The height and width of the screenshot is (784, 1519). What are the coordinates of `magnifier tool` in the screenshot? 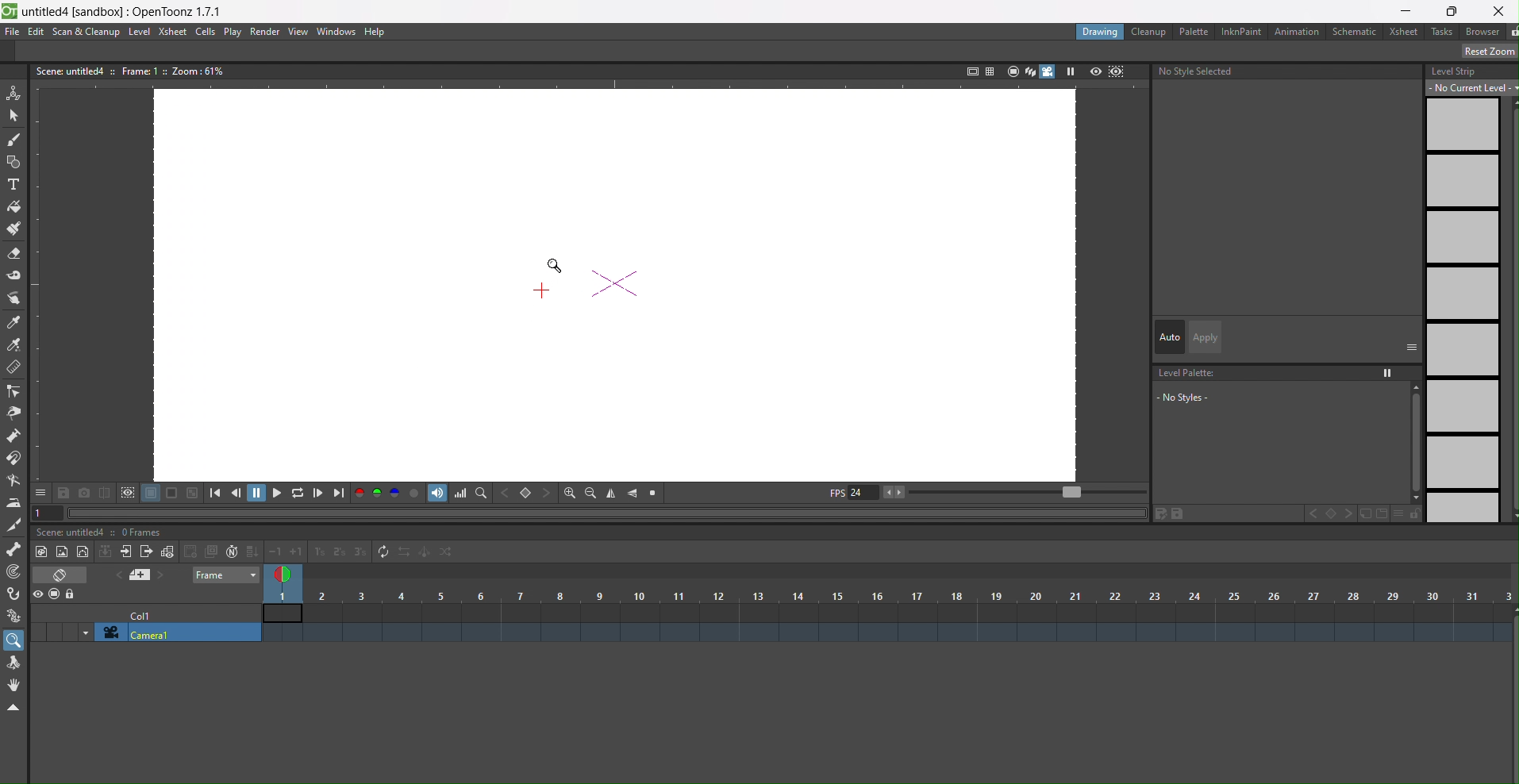 It's located at (553, 263).